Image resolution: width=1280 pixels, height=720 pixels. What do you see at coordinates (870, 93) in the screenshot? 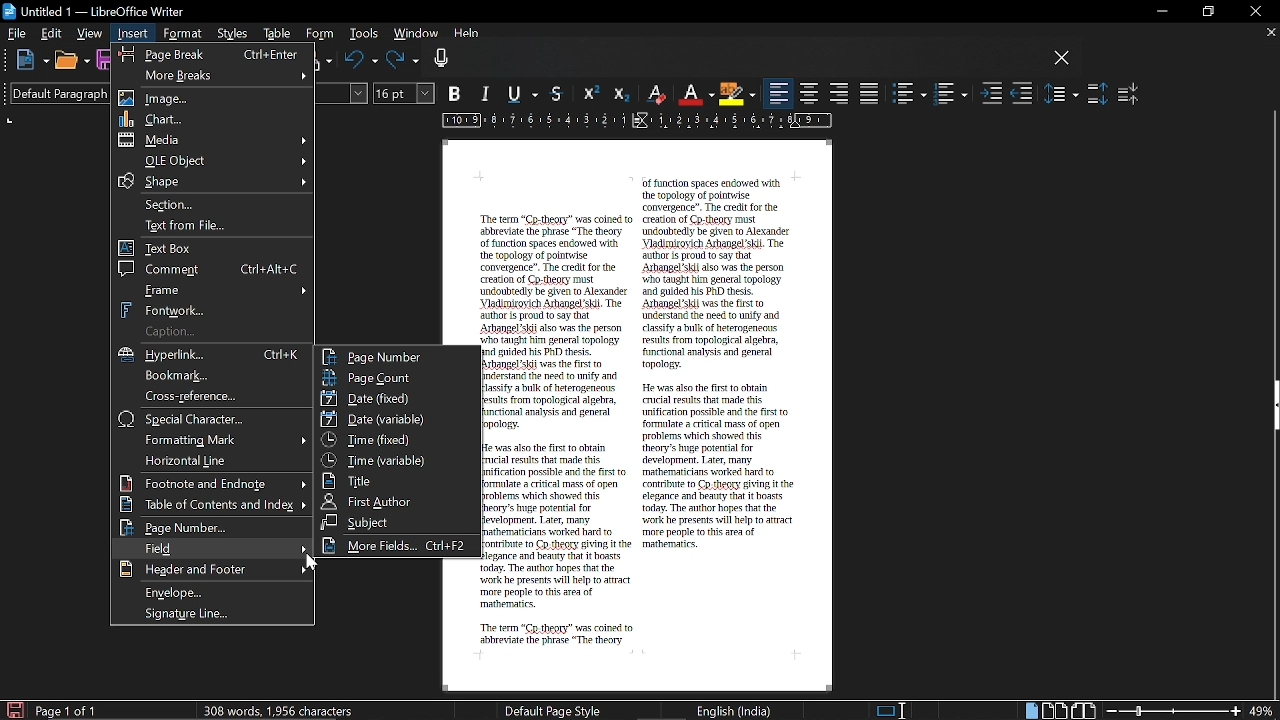
I see `Justified` at bounding box center [870, 93].